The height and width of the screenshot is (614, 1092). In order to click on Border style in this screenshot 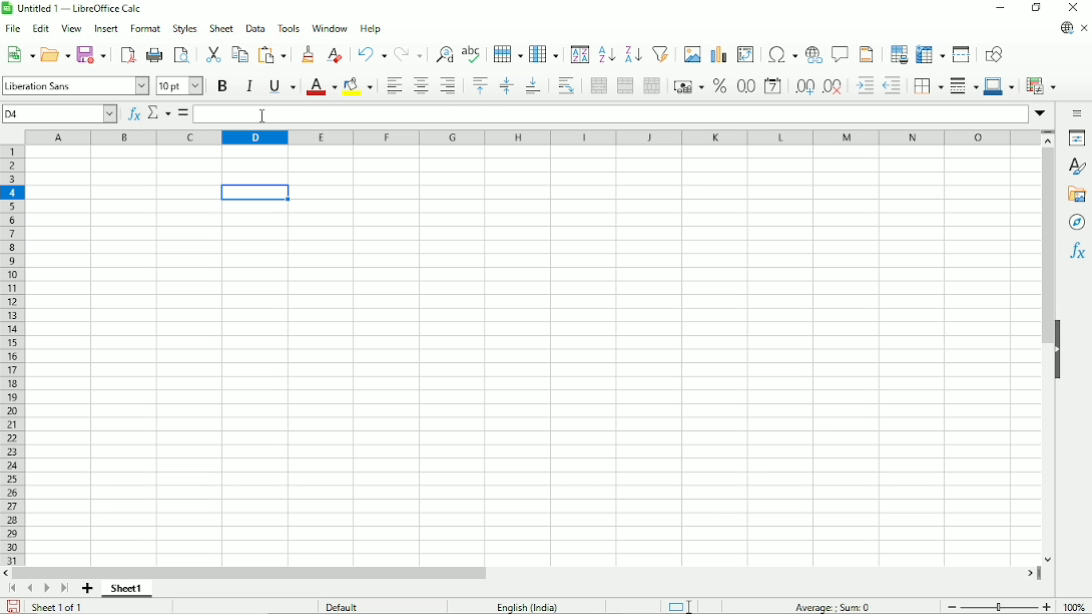, I will do `click(966, 86)`.